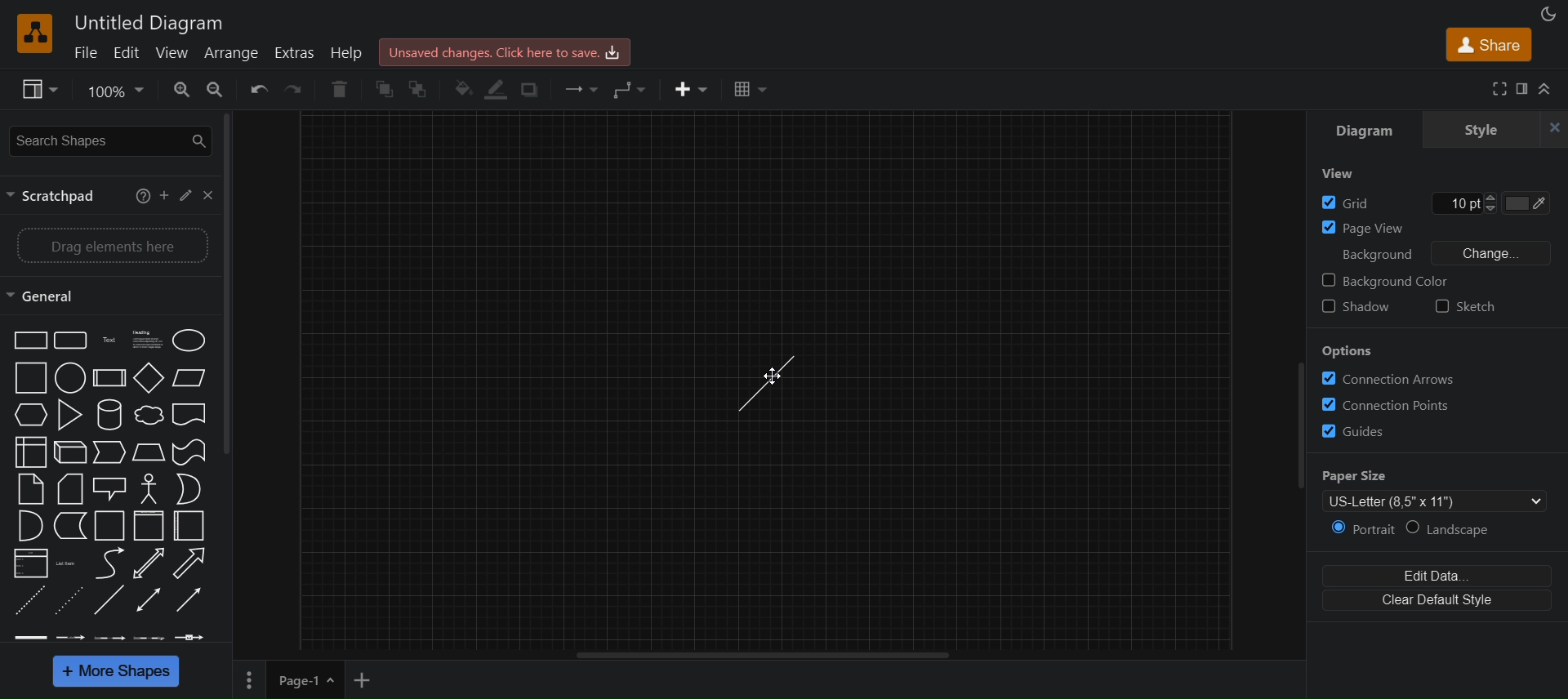  I want to click on style, so click(1481, 129).